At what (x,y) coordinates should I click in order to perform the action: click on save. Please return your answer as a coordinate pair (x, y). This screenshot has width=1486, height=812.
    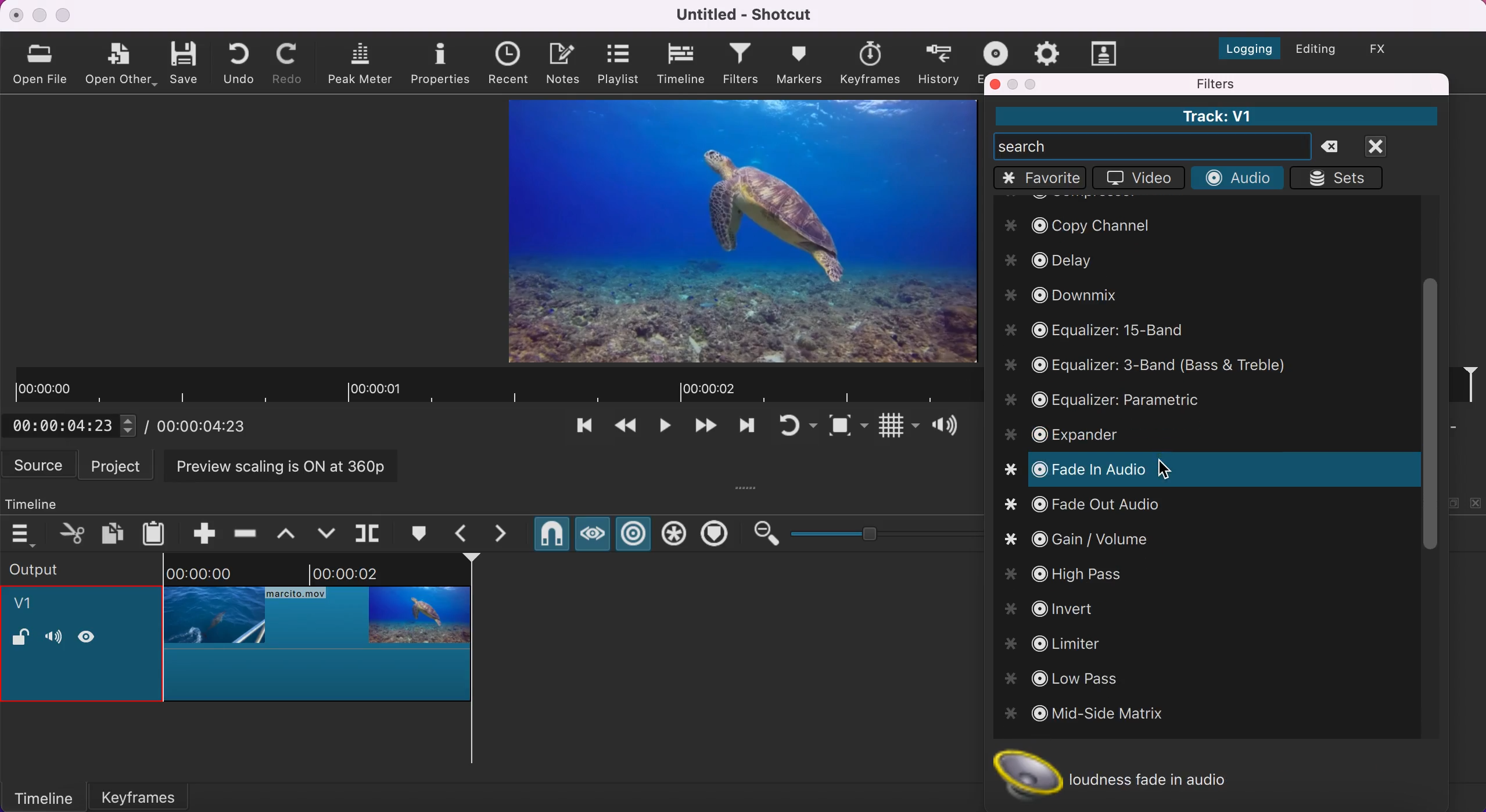
    Looking at the image, I should click on (186, 62).